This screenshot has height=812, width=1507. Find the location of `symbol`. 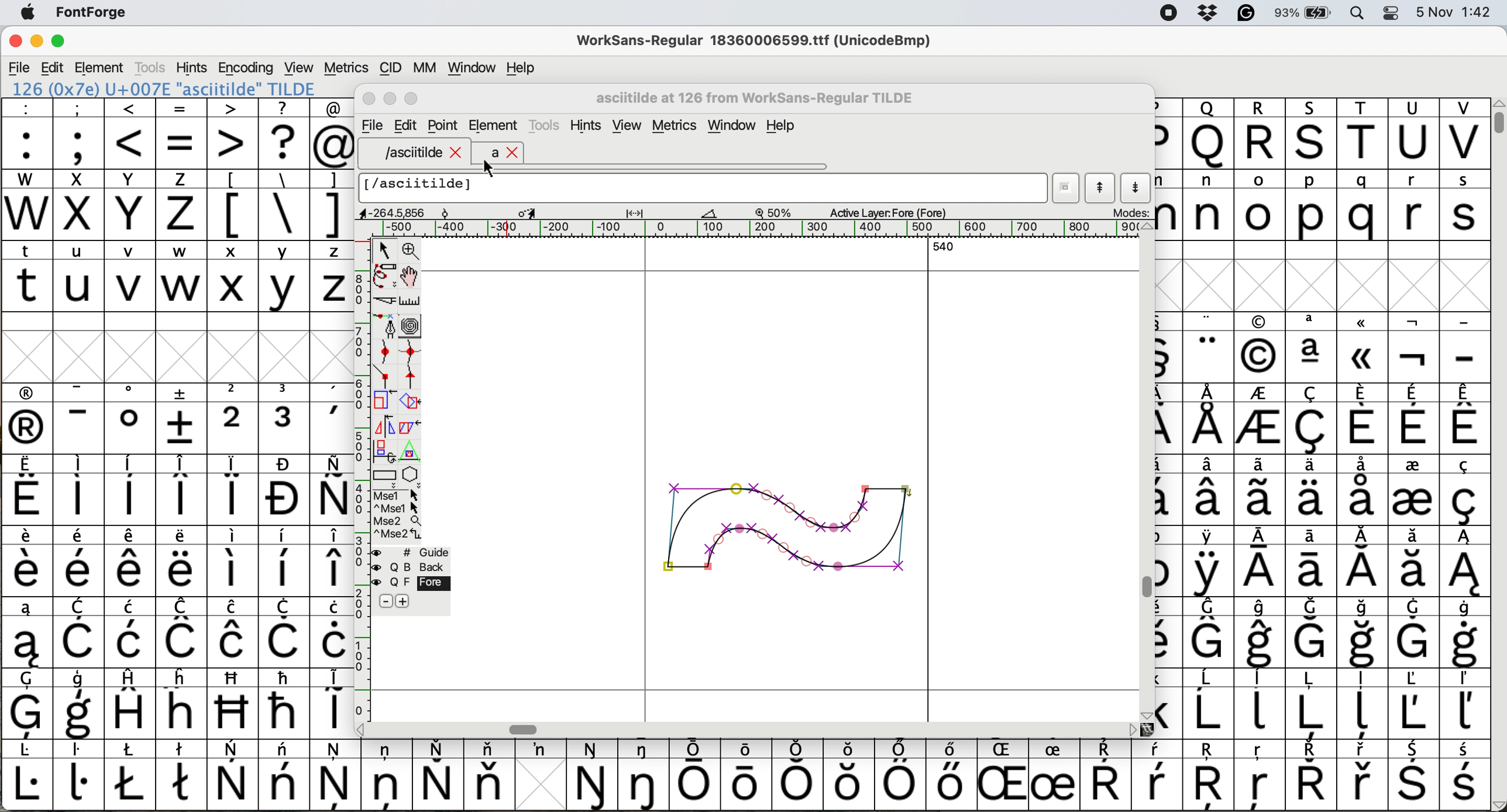

symbol is located at coordinates (1261, 421).